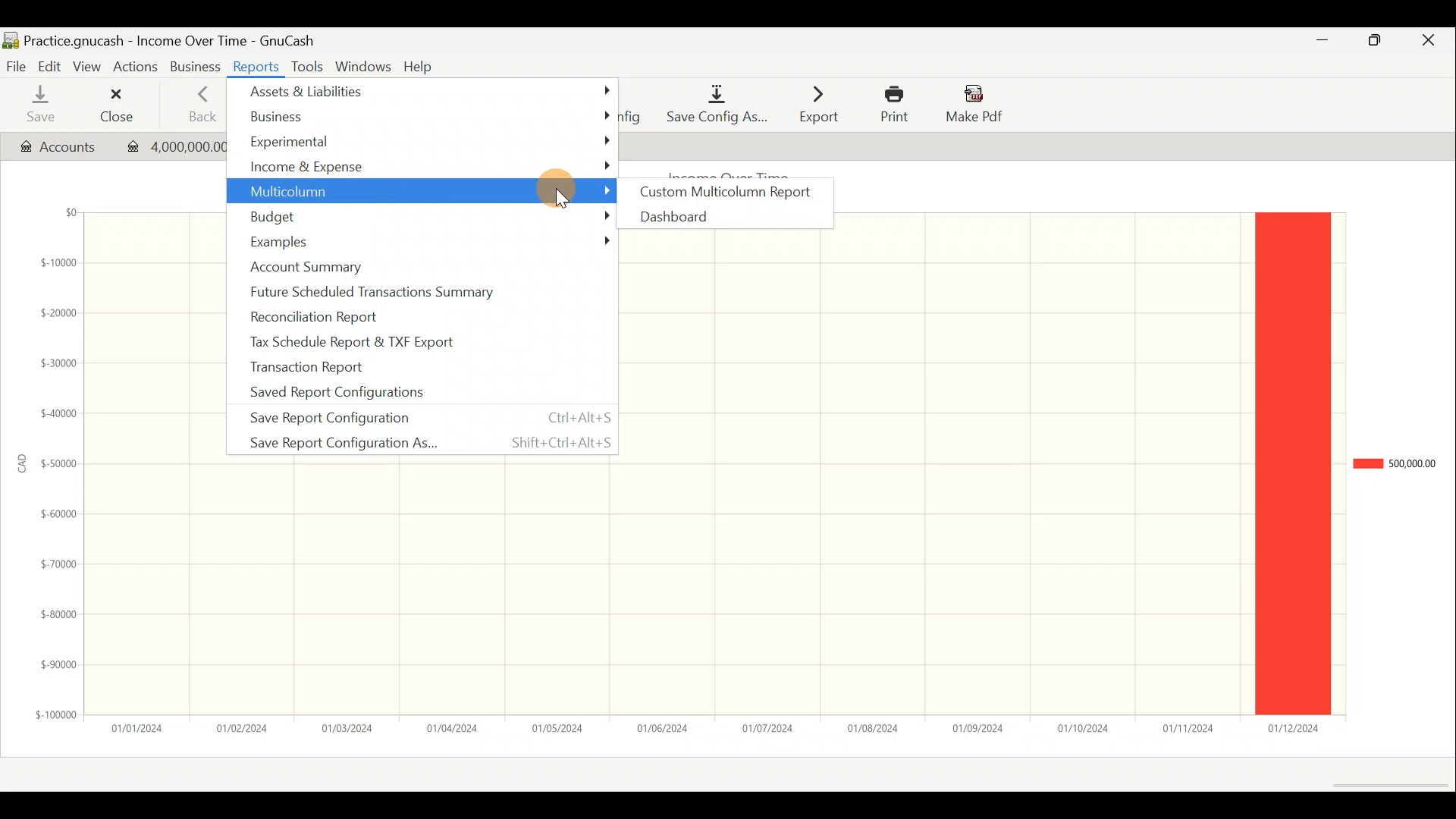 The height and width of the screenshot is (819, 1456). I want to click on Tools, so click(307, 67).